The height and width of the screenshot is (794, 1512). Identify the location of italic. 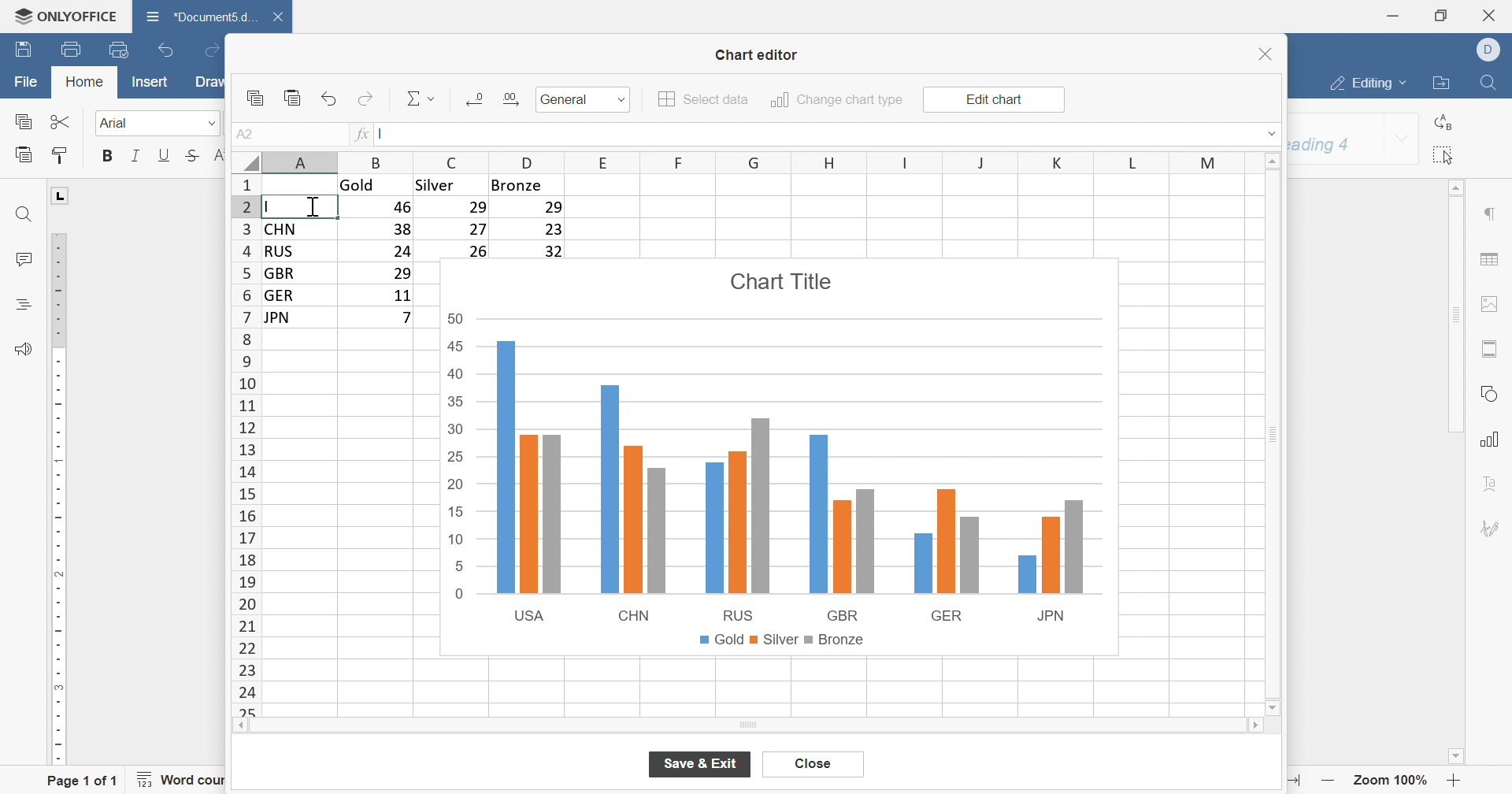
(135, 156).